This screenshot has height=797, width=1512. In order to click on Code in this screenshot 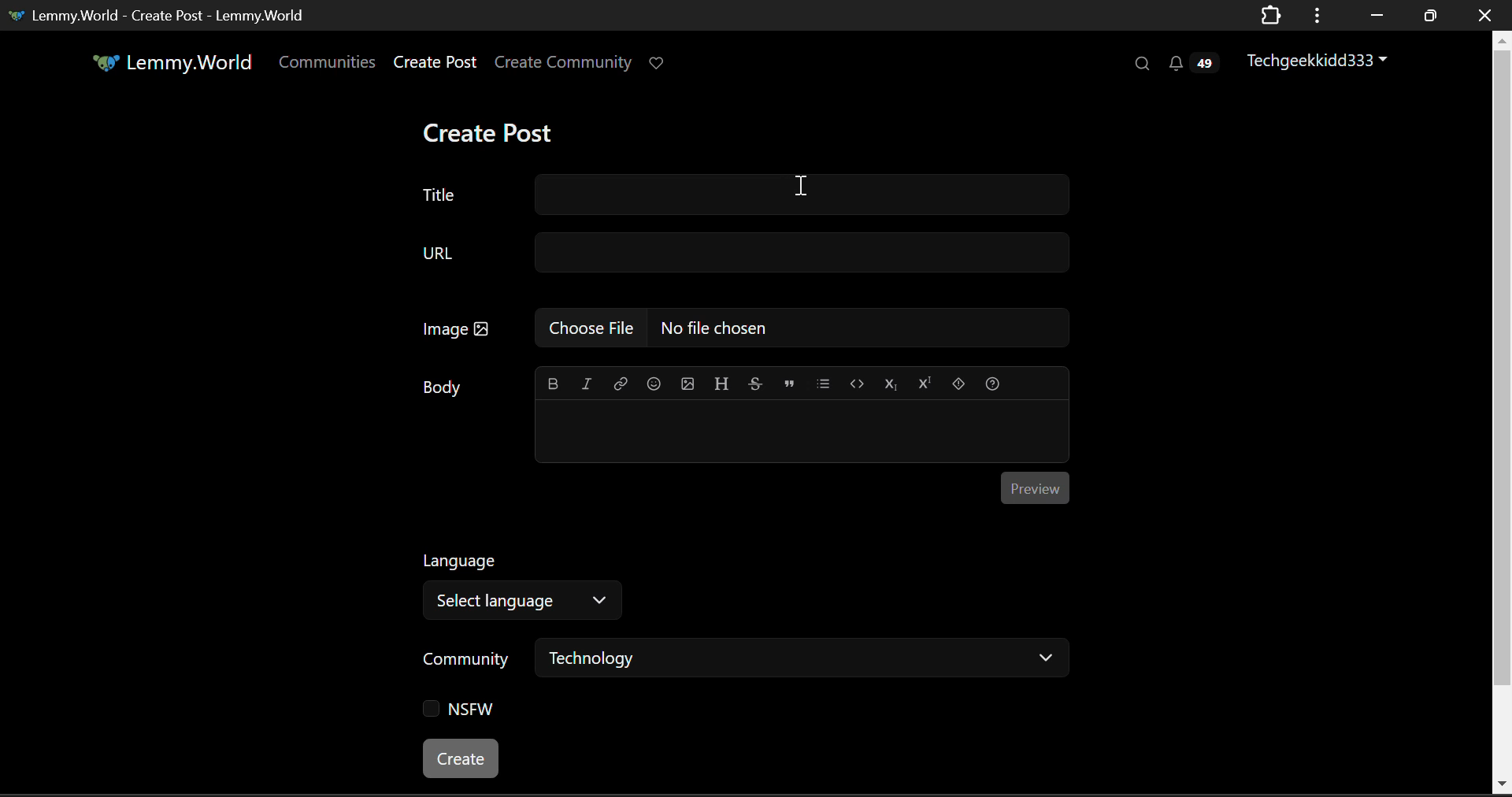, I will do `click(856, 384)`.